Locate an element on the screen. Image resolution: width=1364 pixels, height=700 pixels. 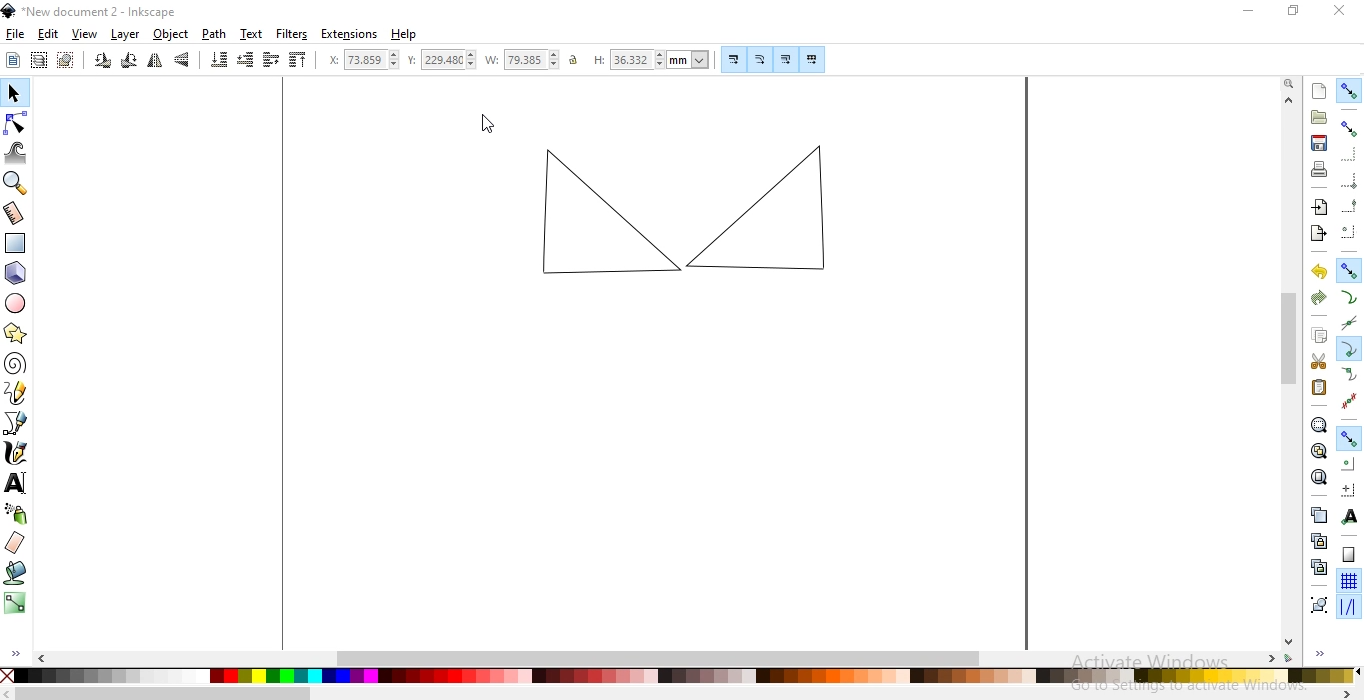
scrollbar is located at coordinates (1291, 372).